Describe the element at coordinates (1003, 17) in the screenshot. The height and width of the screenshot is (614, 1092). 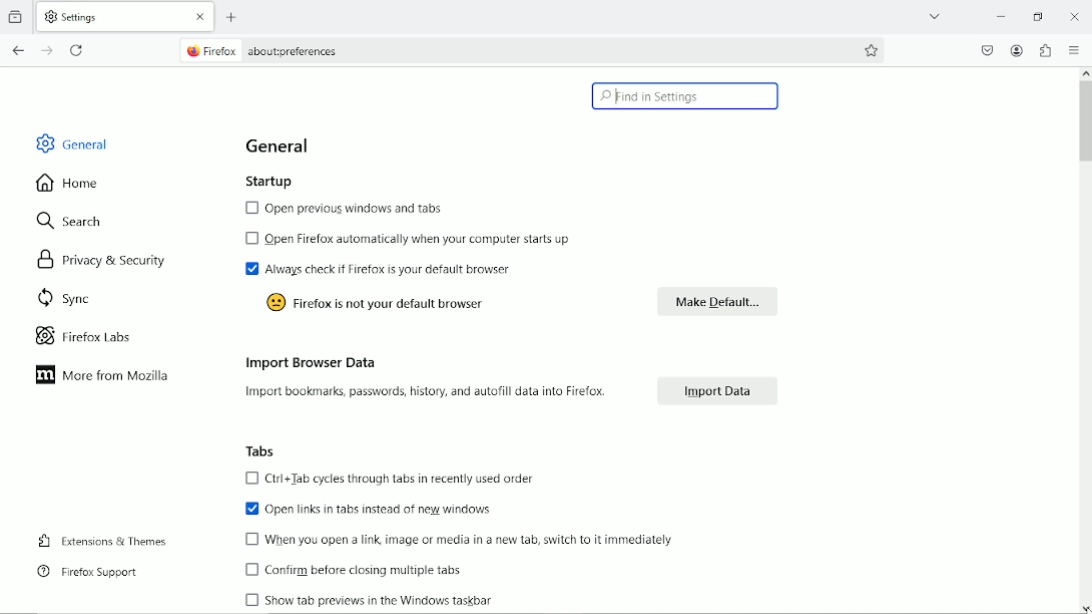
I see `Minimize` at that location.